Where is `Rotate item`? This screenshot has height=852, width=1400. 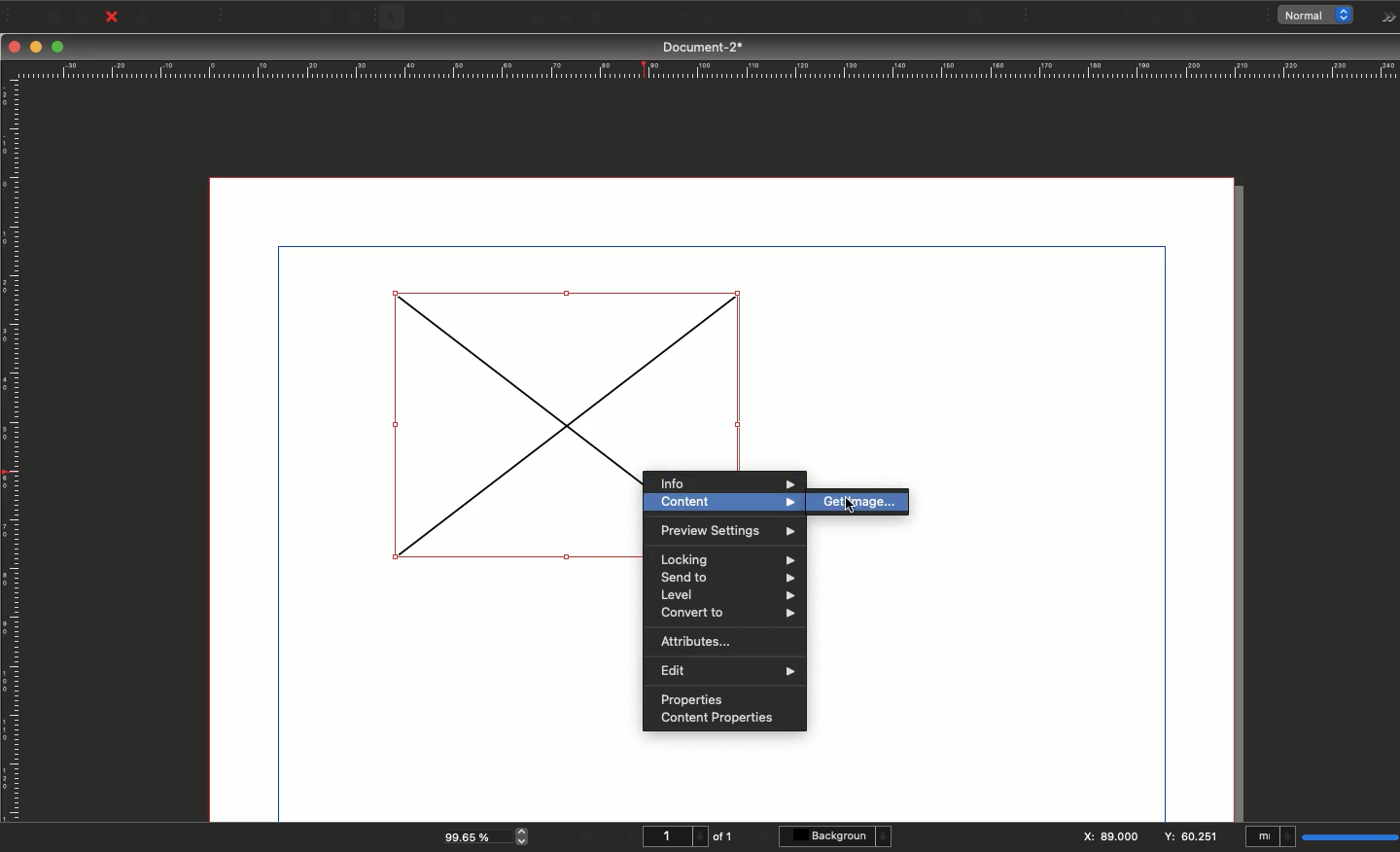
Rotate item is located at coordinates (740, 20).